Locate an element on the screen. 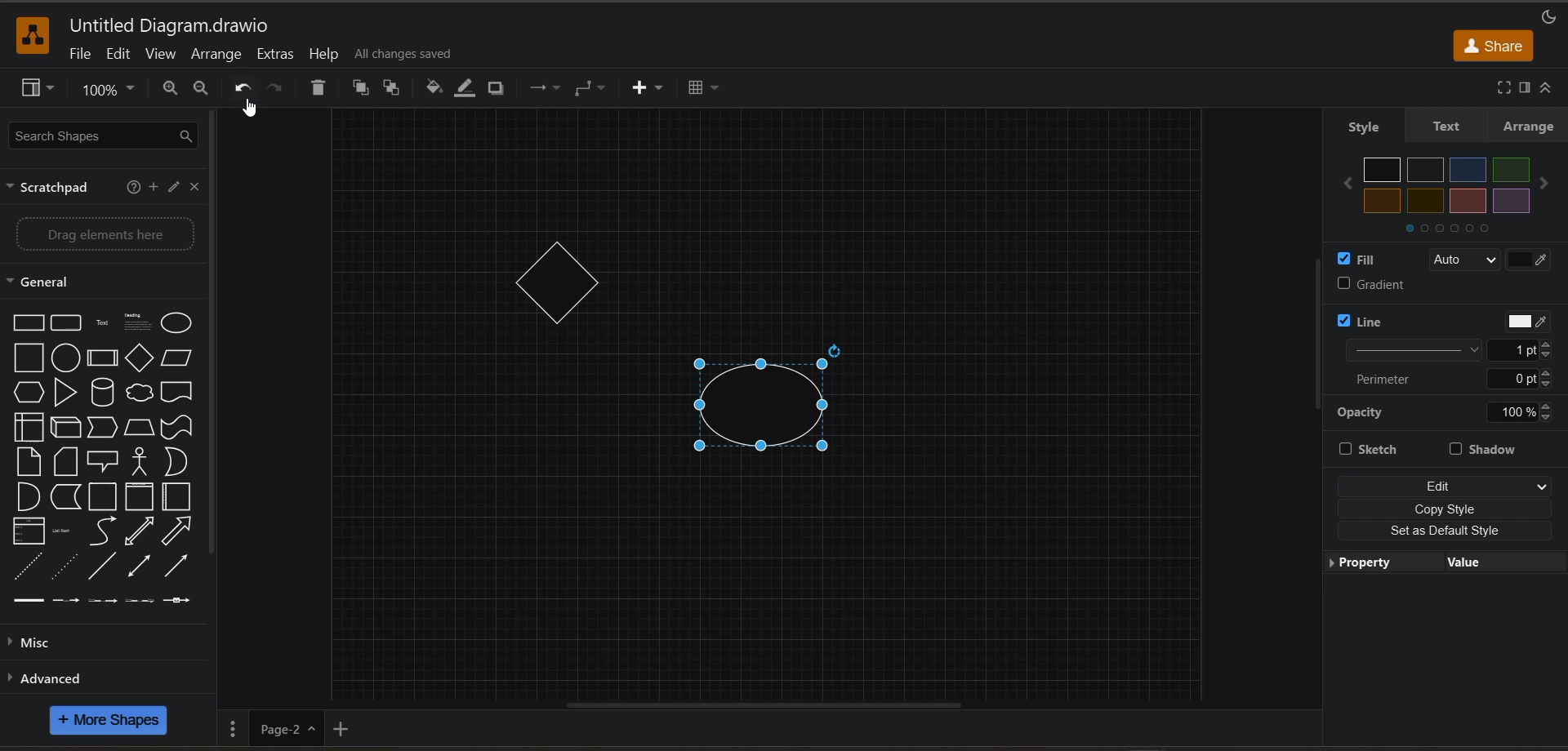  help is located at coordinates (132, 189).